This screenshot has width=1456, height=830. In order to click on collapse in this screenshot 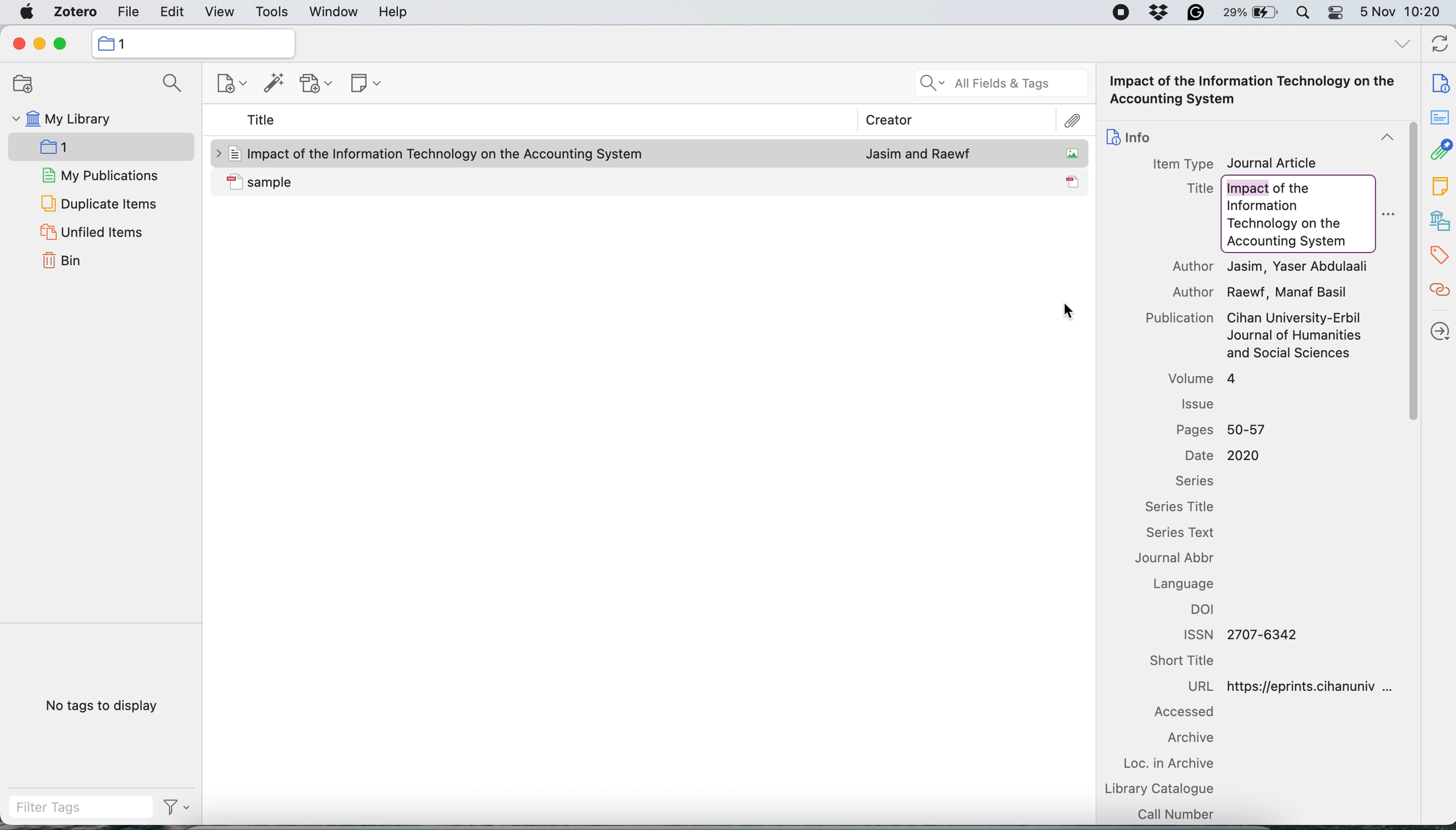, I will do `click(1386, 137)`.